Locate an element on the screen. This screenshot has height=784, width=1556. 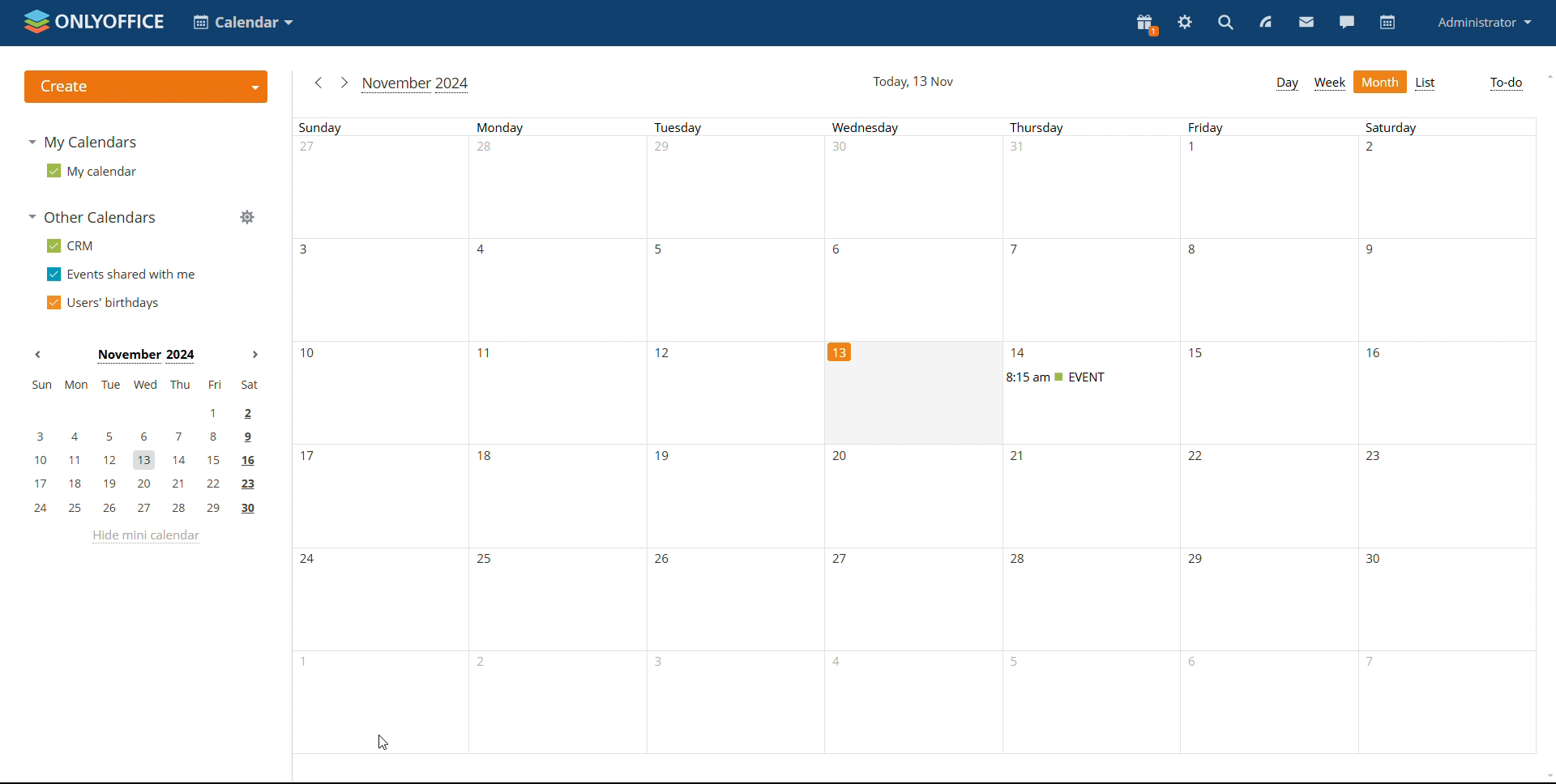
next month is located at coordinates (345, 83).